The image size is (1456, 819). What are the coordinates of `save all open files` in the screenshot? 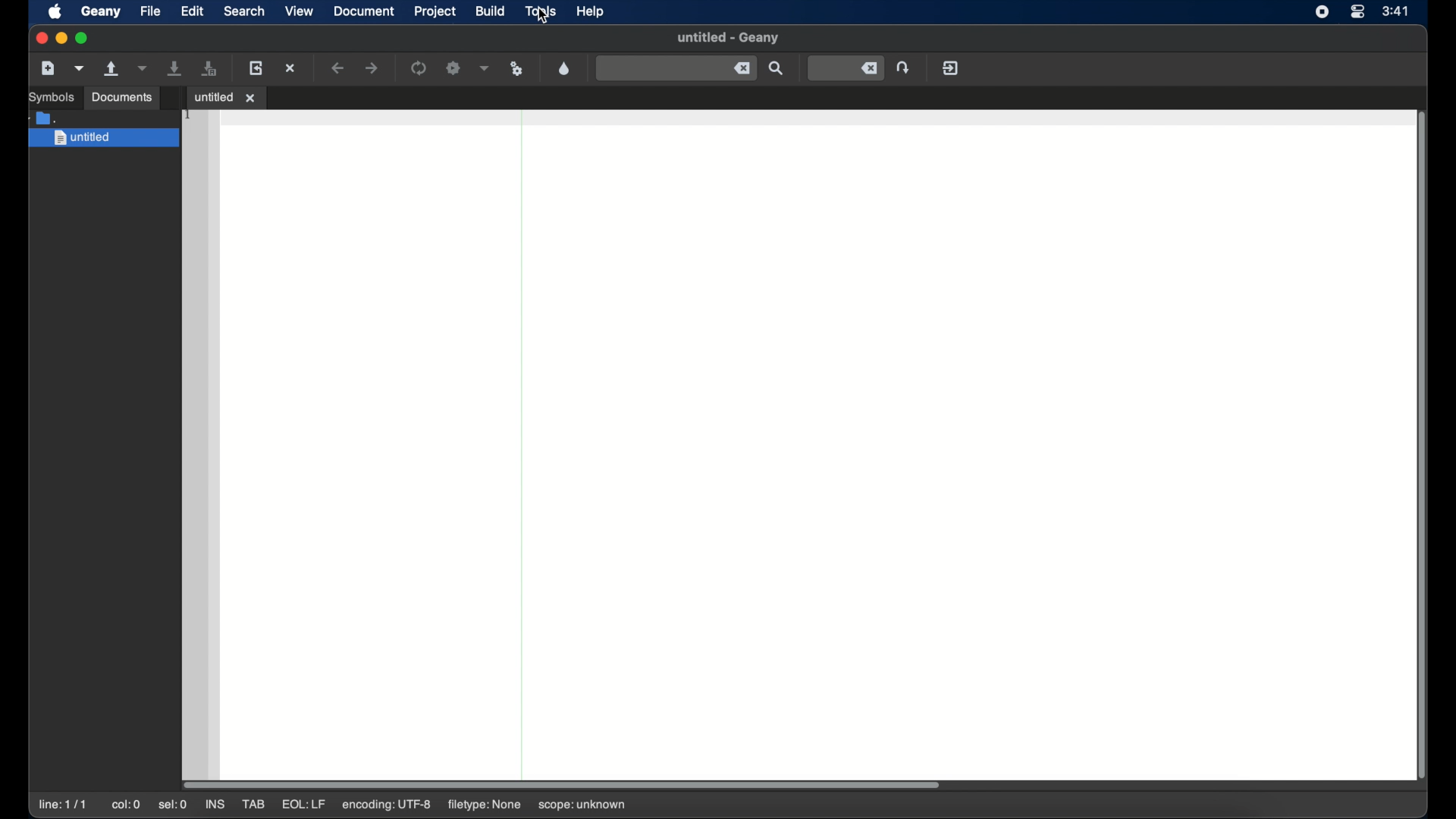 It's located at (211, 68).